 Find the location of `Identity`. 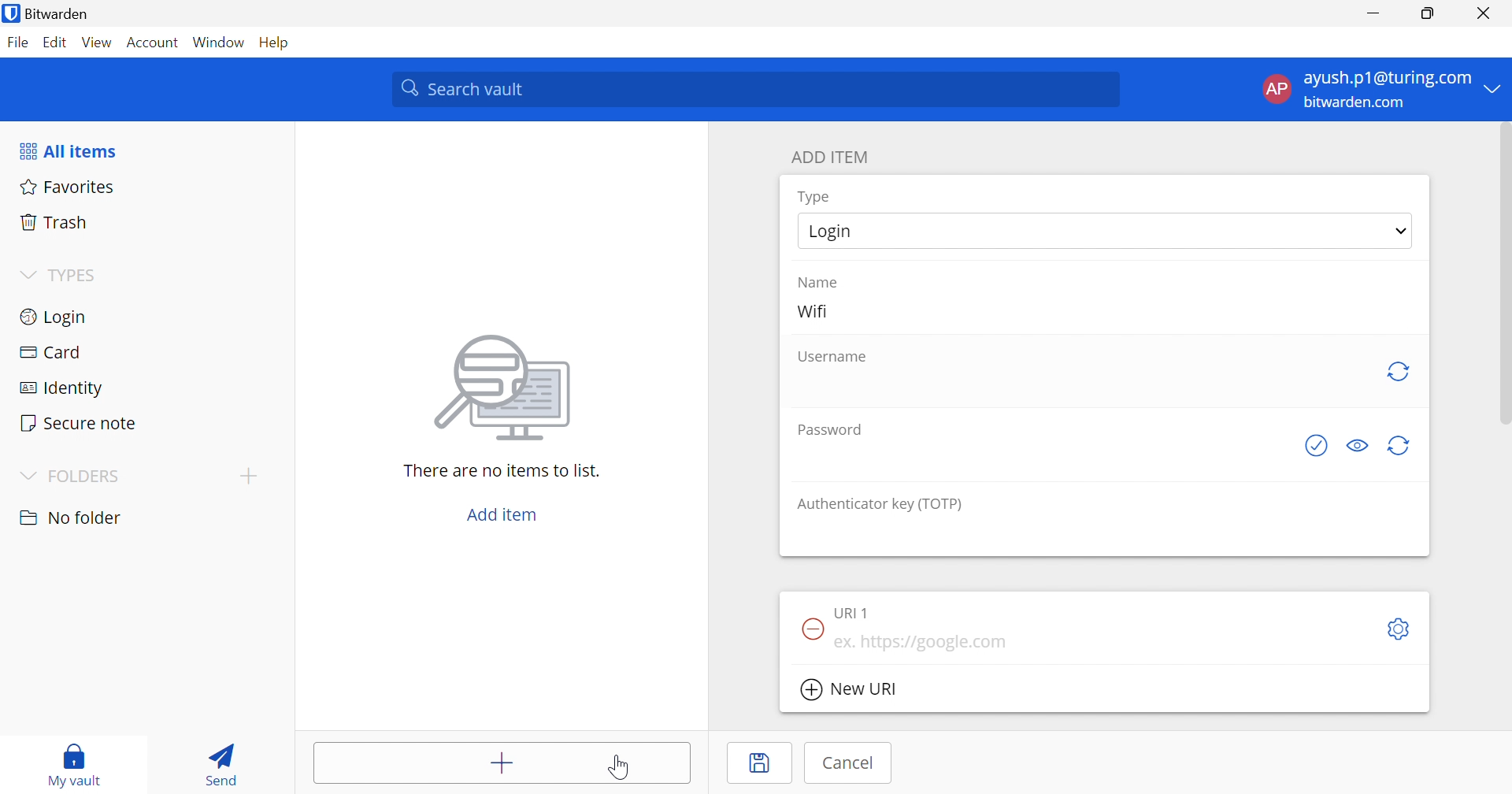

Identity is located at coordinates (64, 389).